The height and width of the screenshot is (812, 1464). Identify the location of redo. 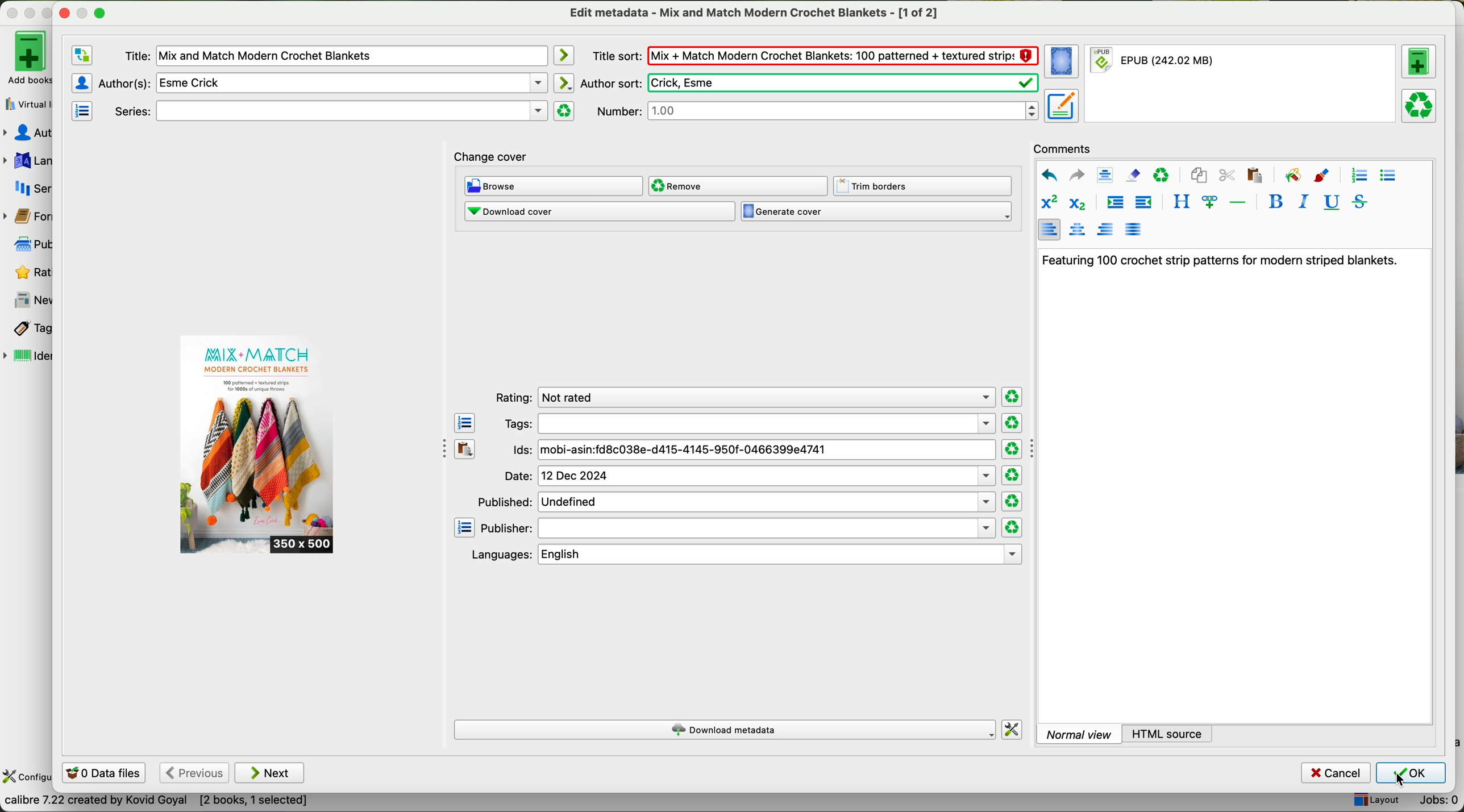
(1076, 174).